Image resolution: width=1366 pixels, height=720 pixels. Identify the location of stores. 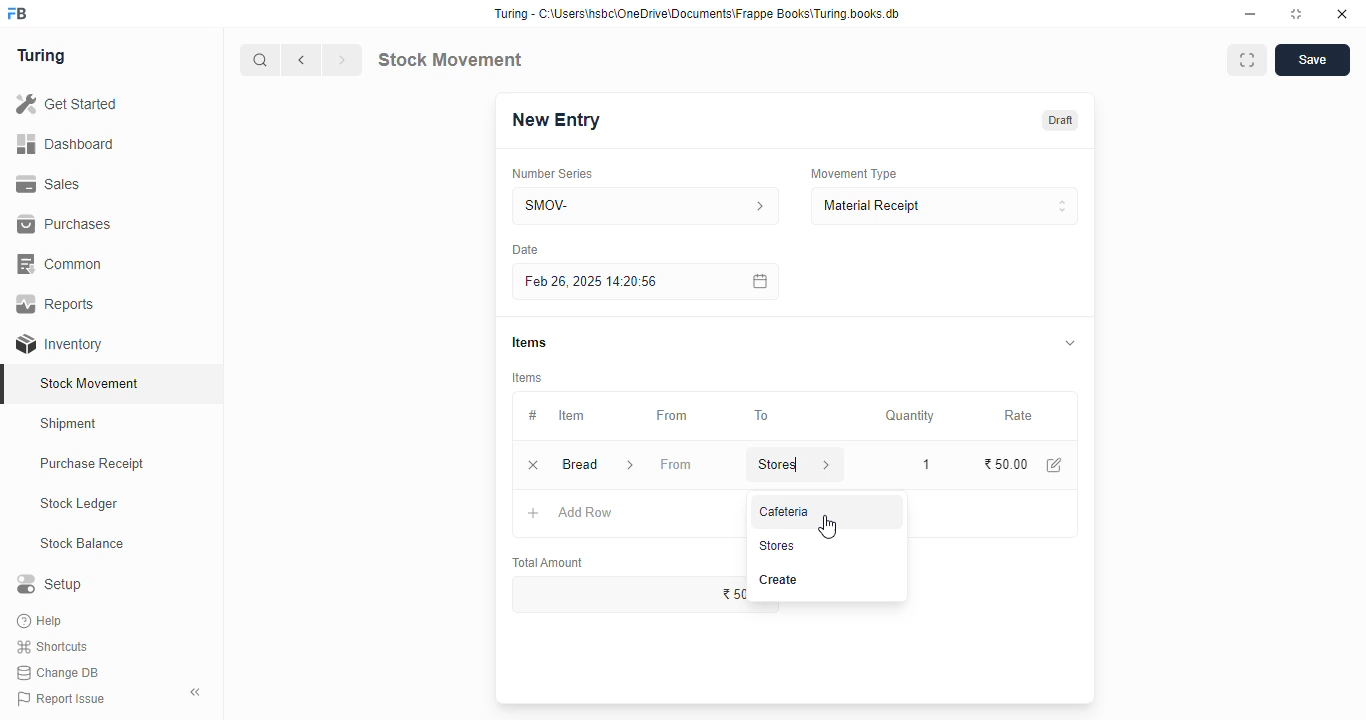
(776, 464).